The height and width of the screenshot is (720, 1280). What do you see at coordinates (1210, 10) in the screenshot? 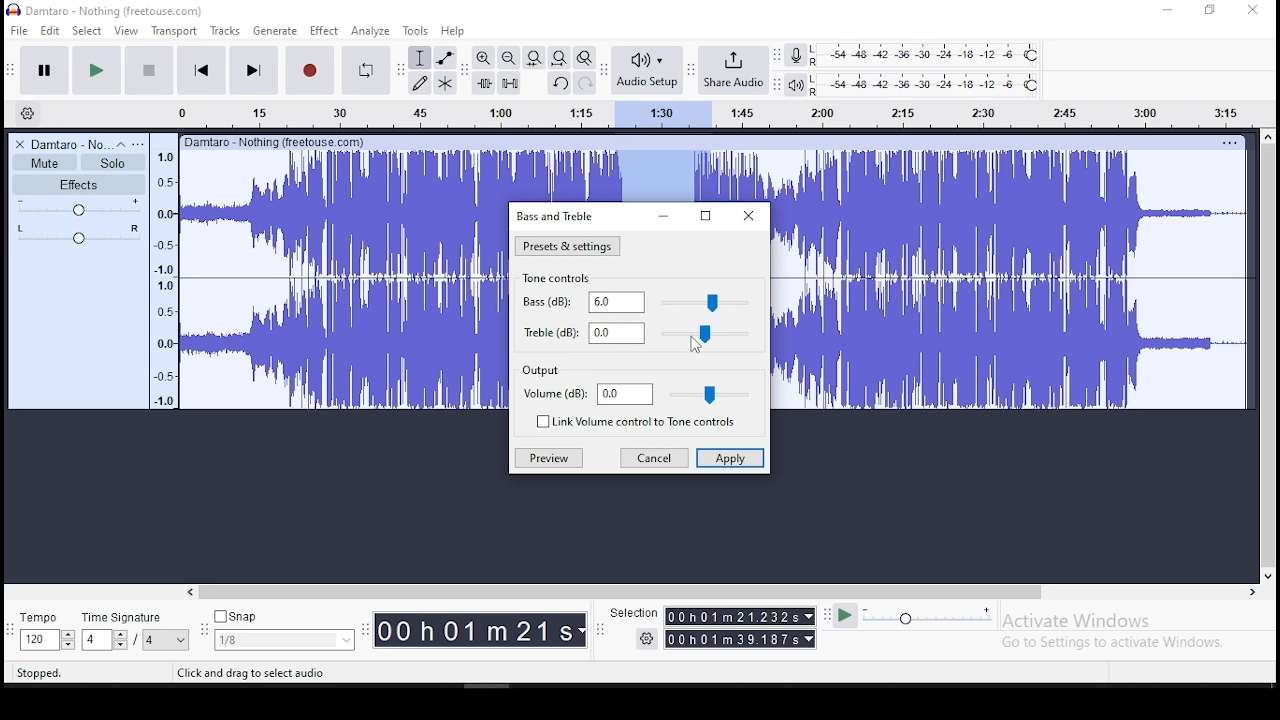
I see `Maximize` at bounding box center [1210, 10].